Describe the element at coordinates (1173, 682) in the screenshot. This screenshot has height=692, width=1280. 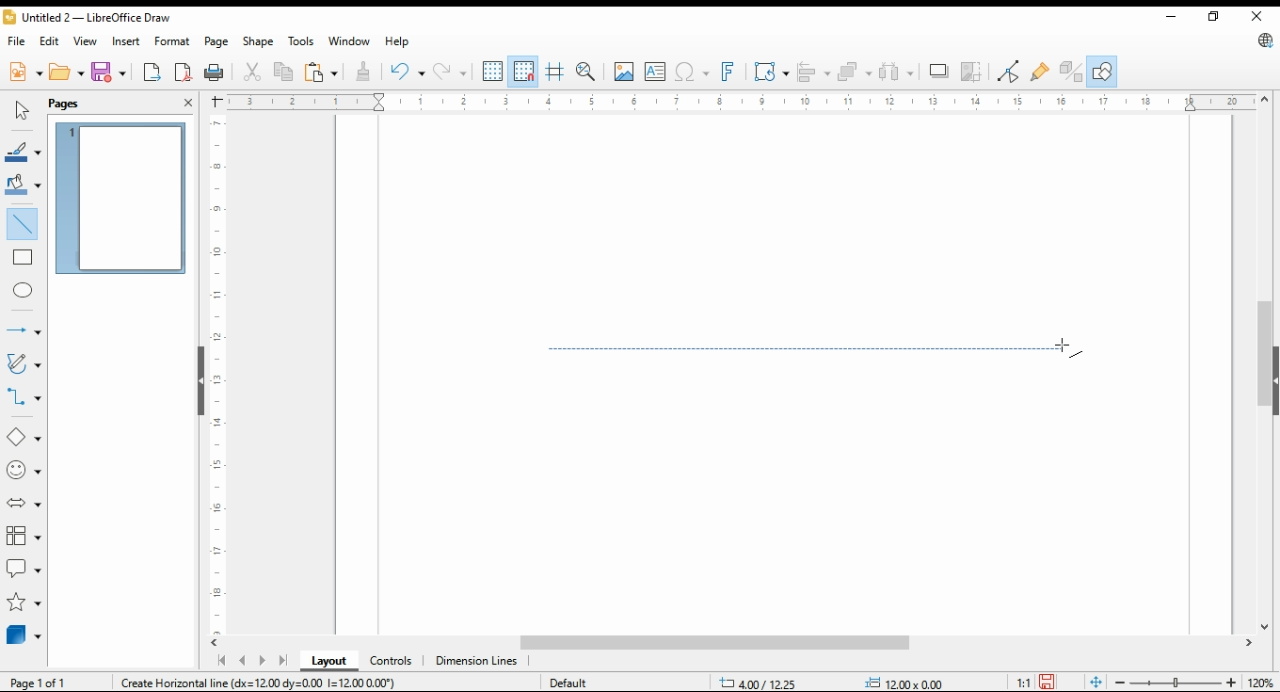
I see `zoom slider` at that location.